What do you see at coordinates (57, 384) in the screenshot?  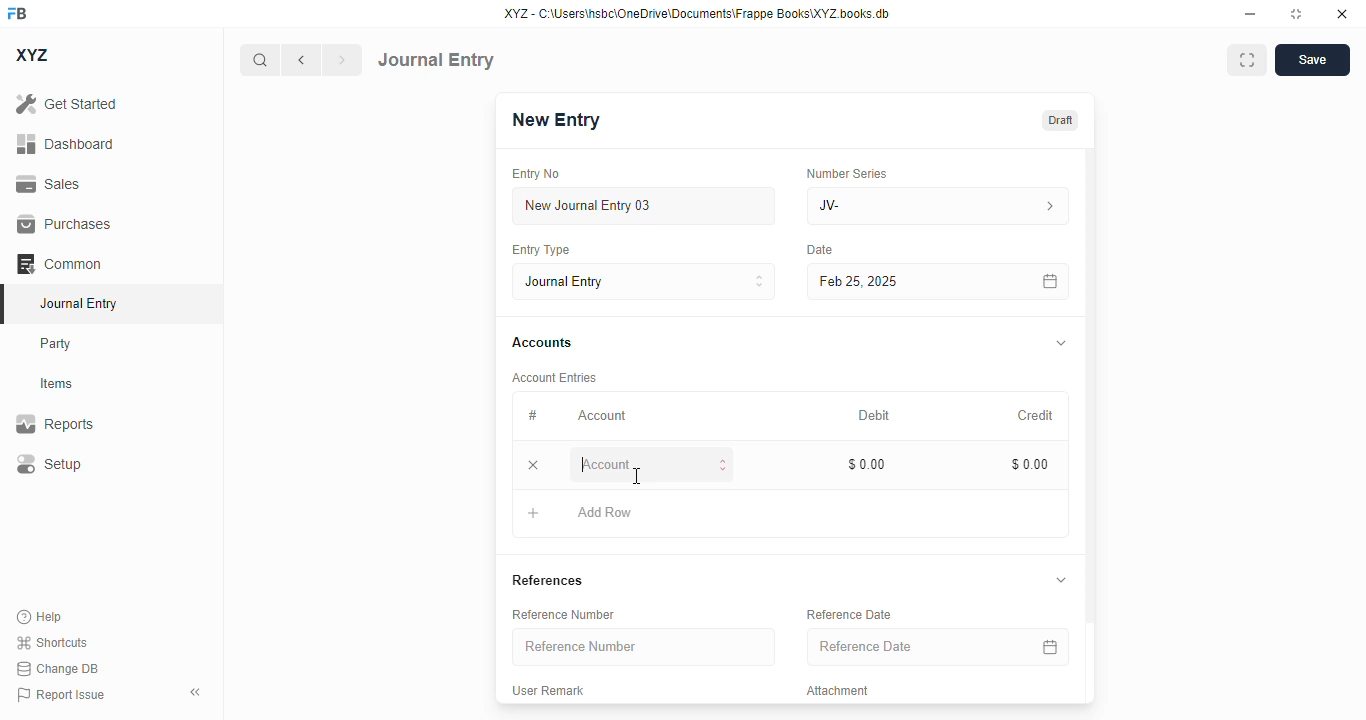 I see `items` at bounding box center [57, 384].